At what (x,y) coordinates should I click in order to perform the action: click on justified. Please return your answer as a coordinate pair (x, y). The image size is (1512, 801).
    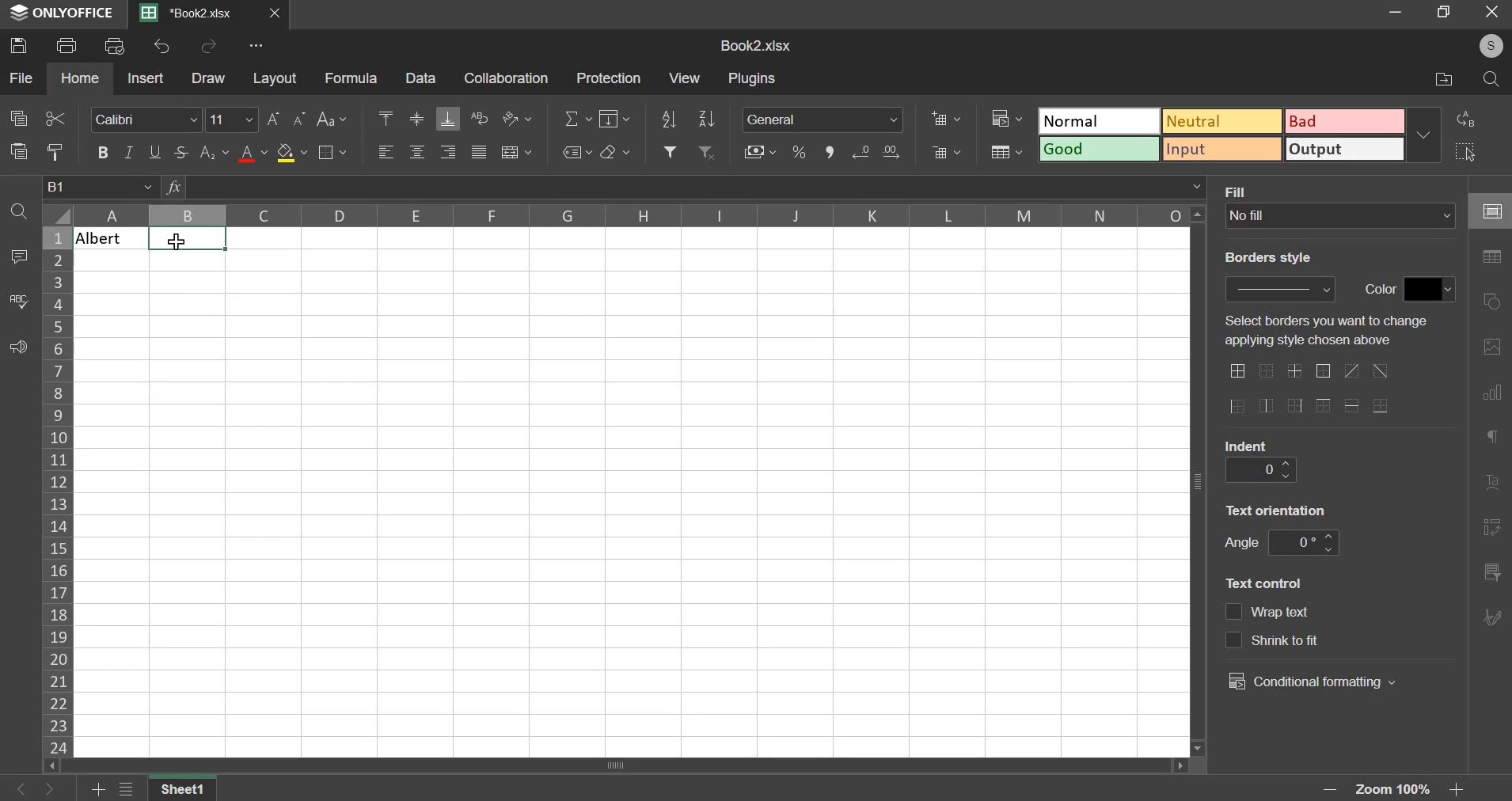
    Looking at the image, I should click on (479, 152).